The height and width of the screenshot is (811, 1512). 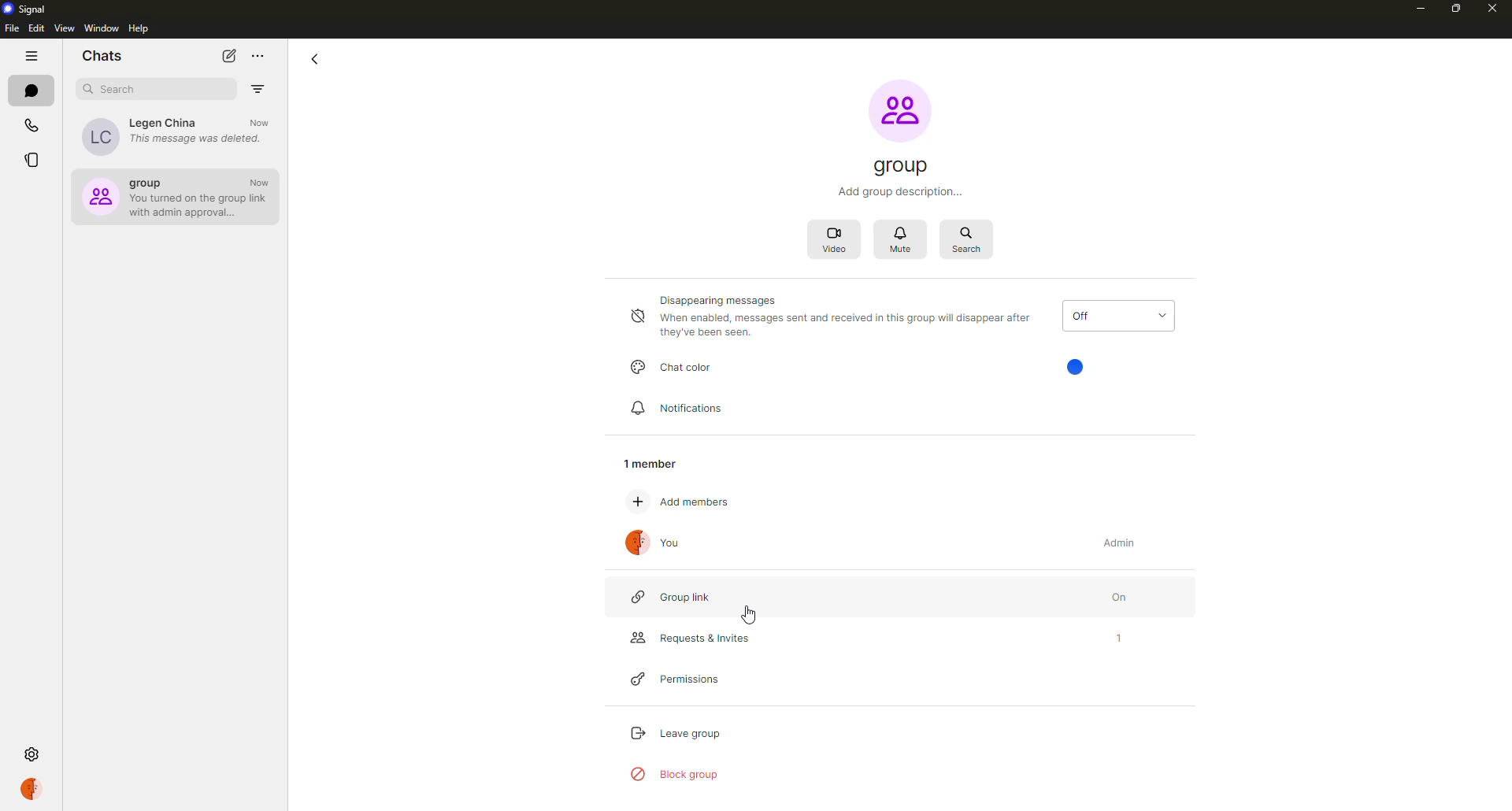 I want to click on maximize, so click(x=1457, y=9).